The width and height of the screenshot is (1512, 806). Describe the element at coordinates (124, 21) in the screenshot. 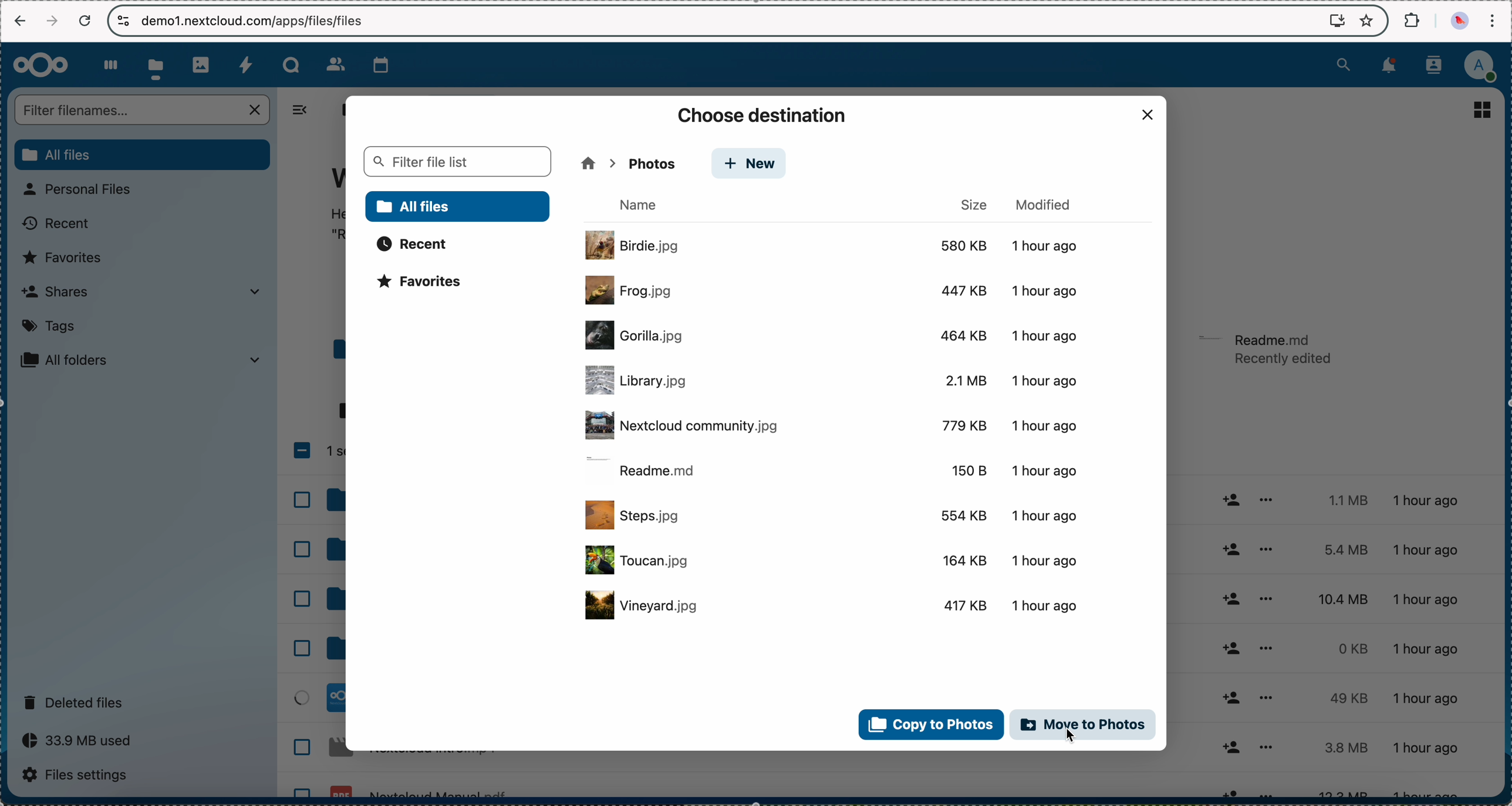

I see `controls` at that location.